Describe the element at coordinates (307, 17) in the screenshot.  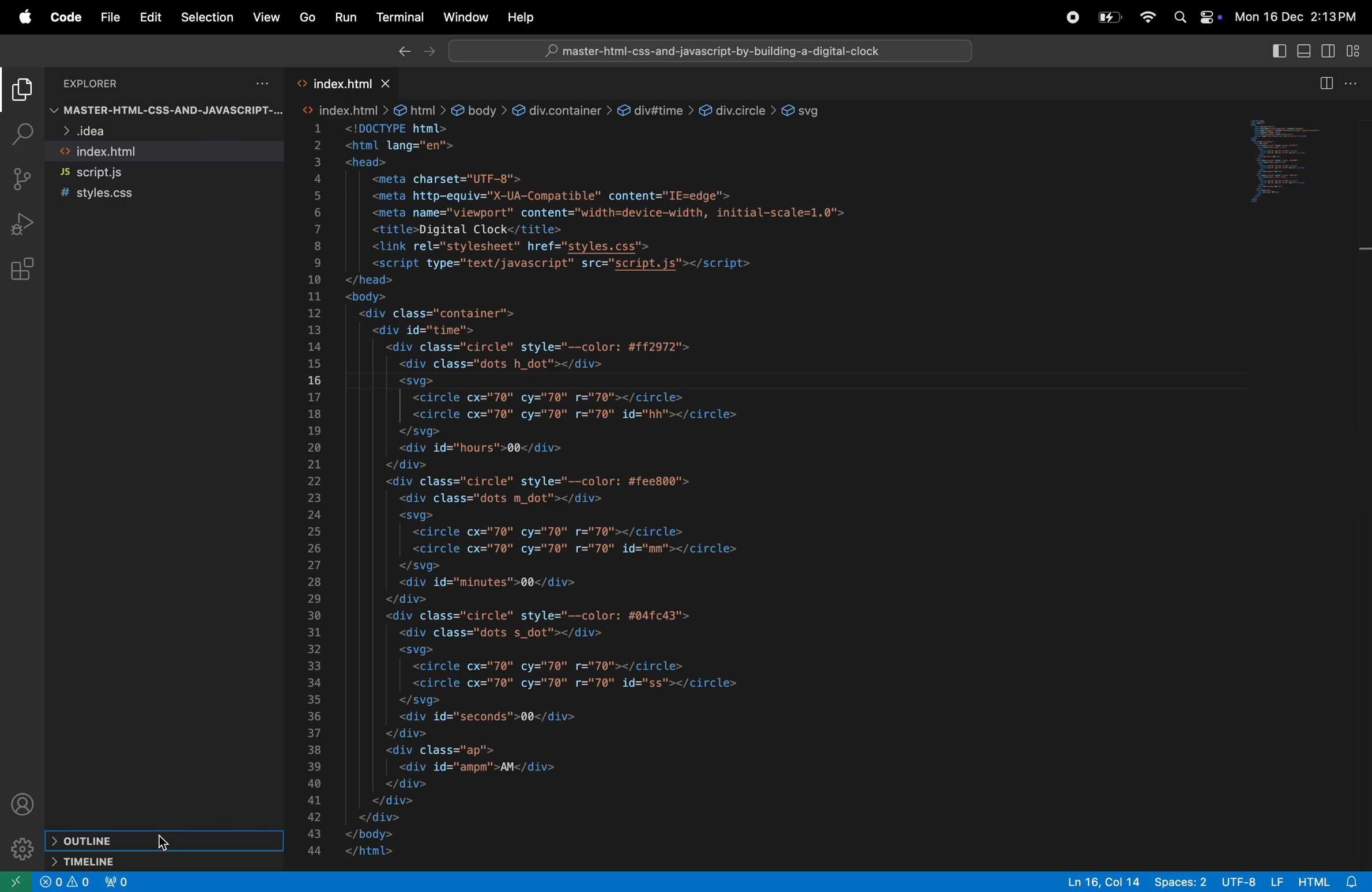
I see `Go` at that location.